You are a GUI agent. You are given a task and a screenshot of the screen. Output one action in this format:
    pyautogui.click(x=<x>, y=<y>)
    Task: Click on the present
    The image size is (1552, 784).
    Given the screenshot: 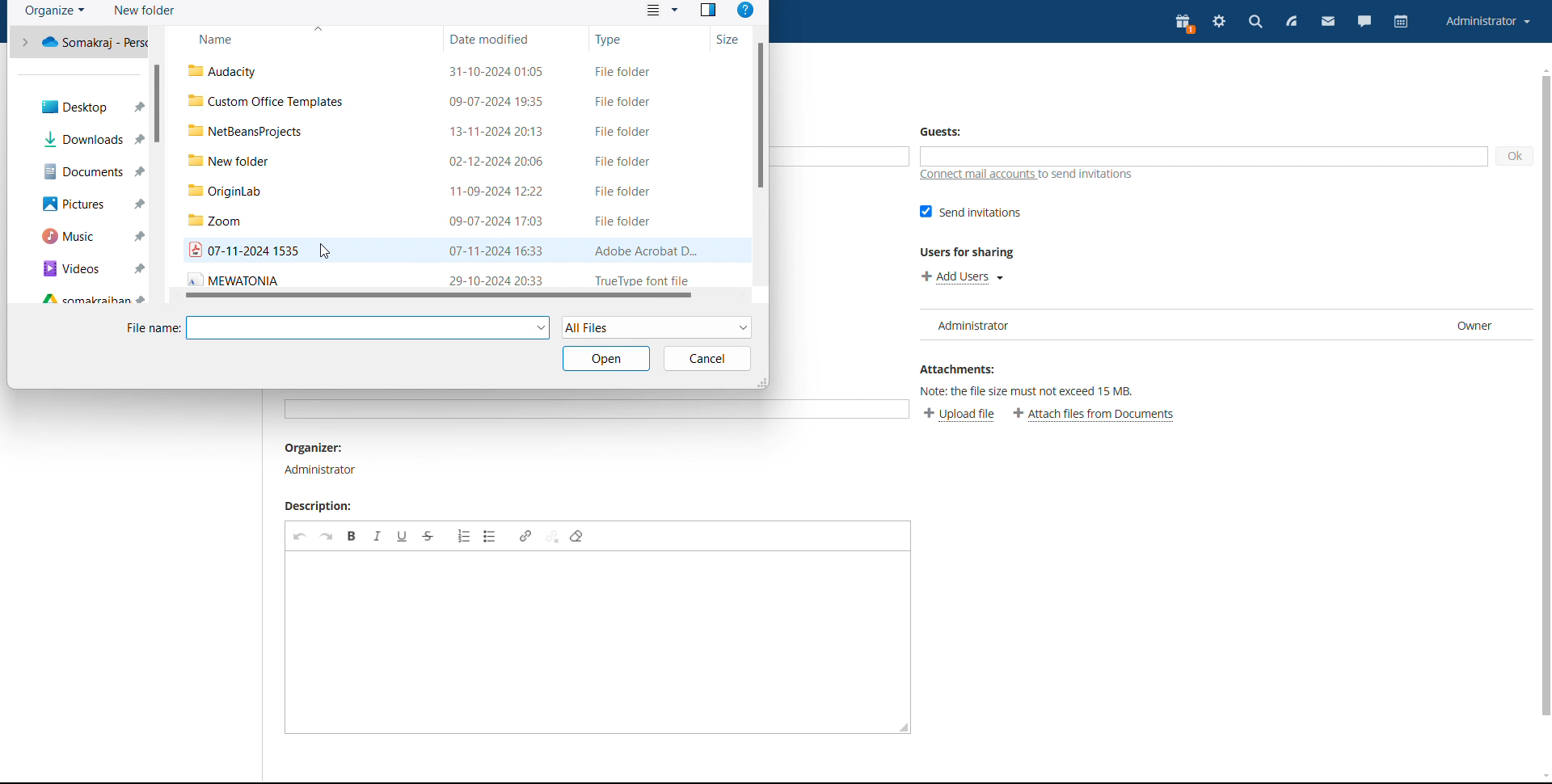 What is the action you would take?
    pyautogui.click(x=1183, y=23)
    